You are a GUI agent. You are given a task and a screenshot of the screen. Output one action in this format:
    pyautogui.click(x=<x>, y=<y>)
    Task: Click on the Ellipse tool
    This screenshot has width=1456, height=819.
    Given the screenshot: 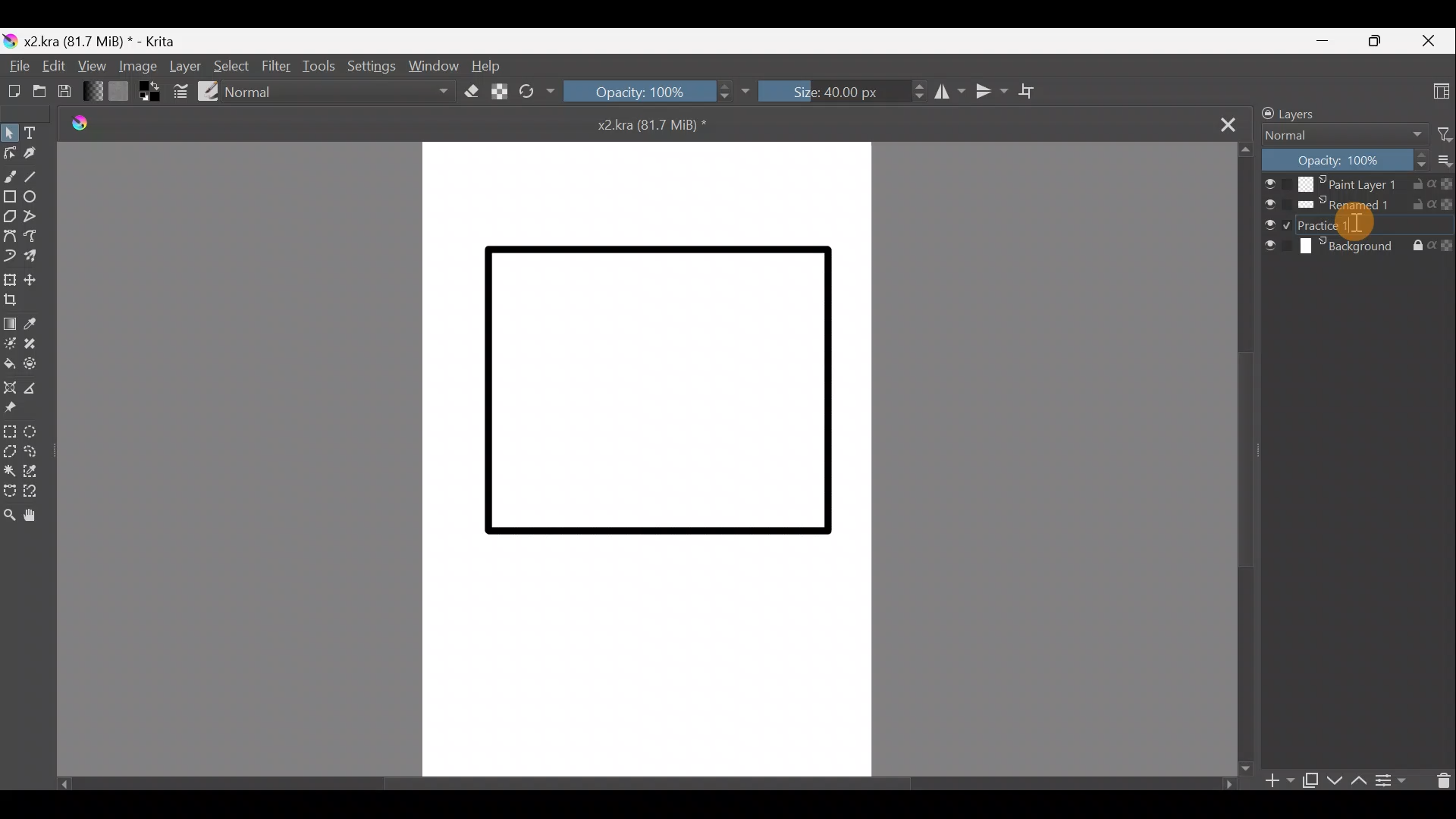 What is the action you would take?
    pyautogui.click(x=37, y=194)
    